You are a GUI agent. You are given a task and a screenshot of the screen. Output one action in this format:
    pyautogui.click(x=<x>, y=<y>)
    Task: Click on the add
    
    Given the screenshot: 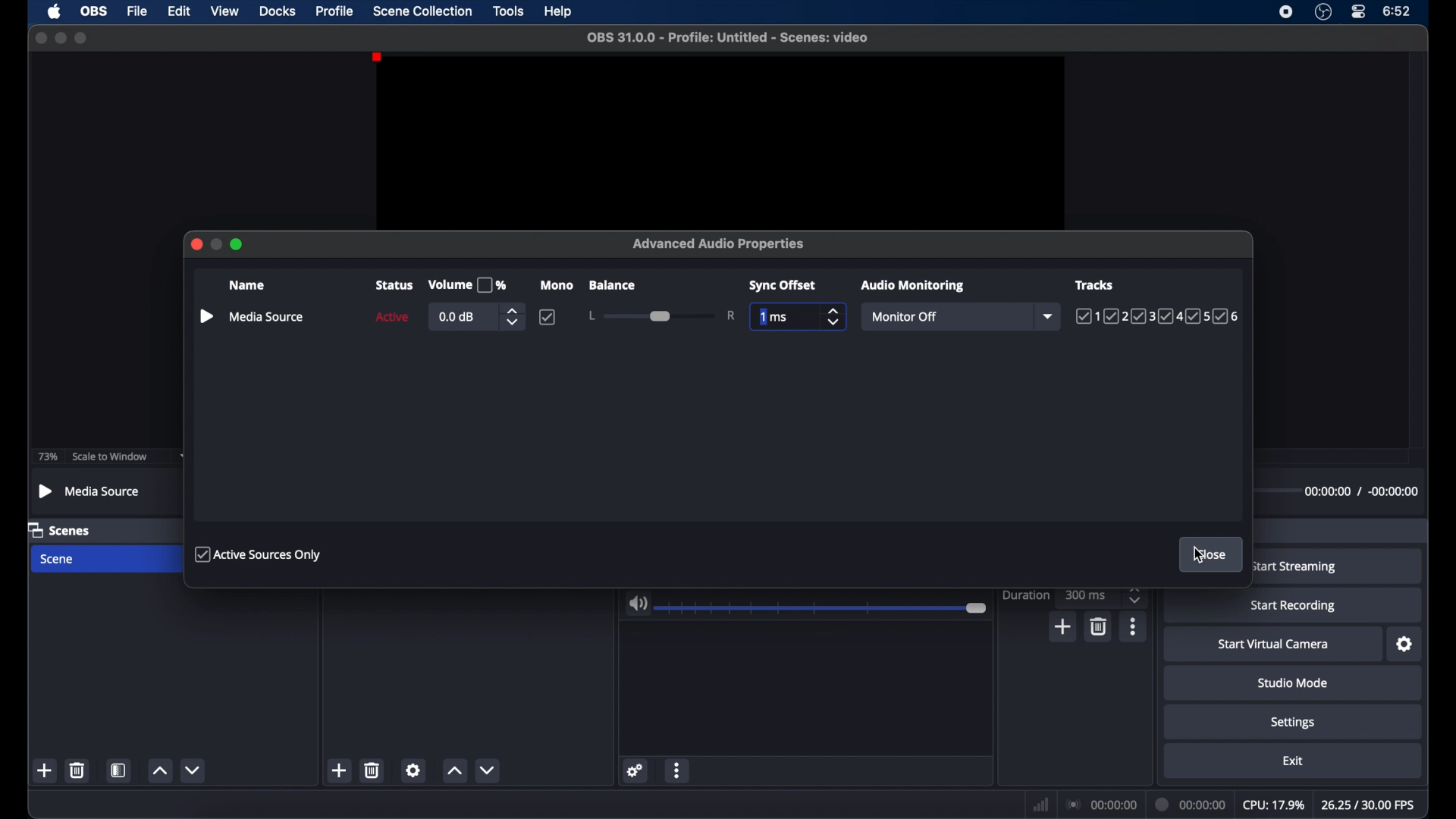 What is the action you would take?
    pyautogui.click(x=1064, y=627)
    